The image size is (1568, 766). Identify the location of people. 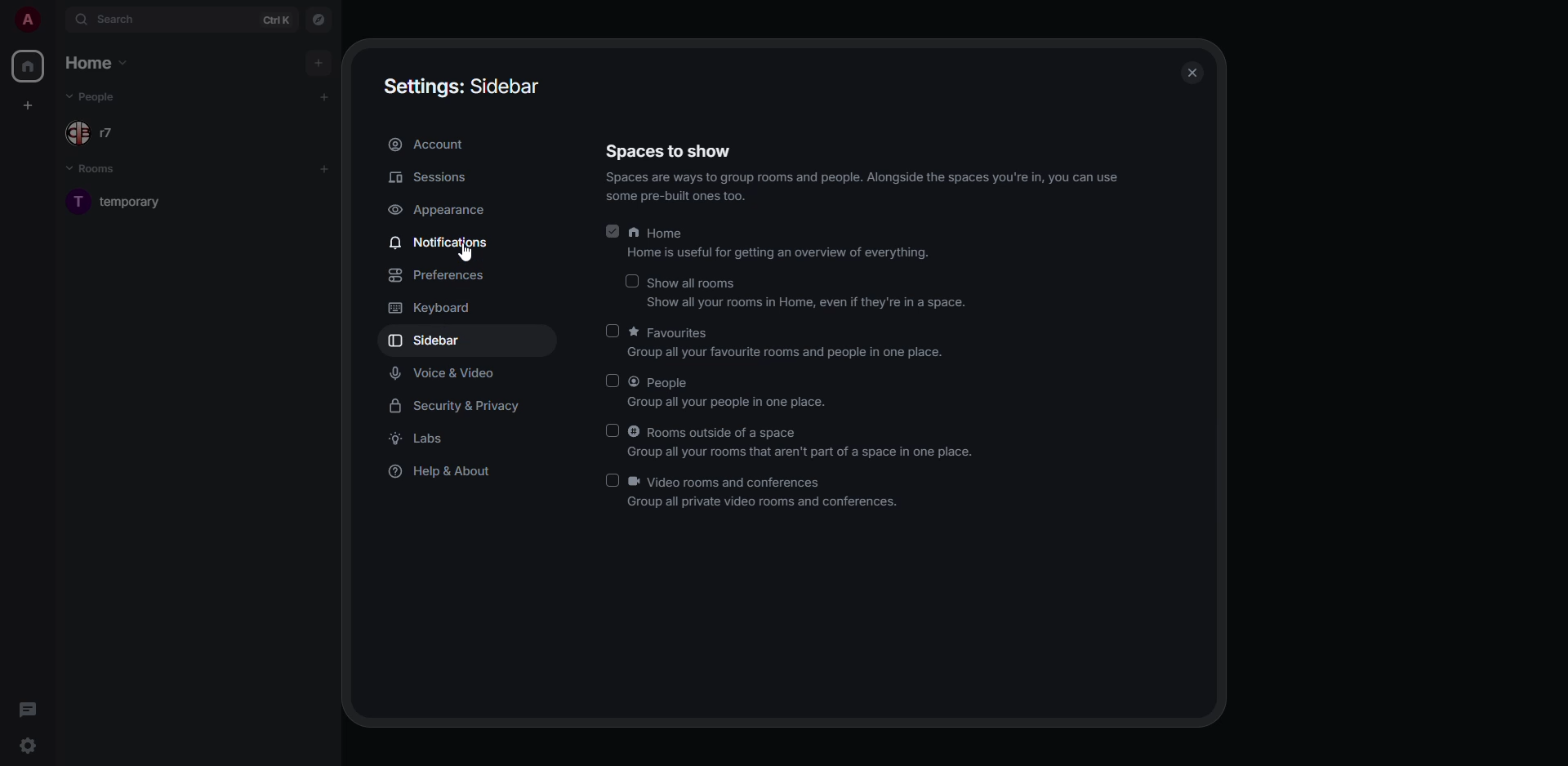
(108, 132).